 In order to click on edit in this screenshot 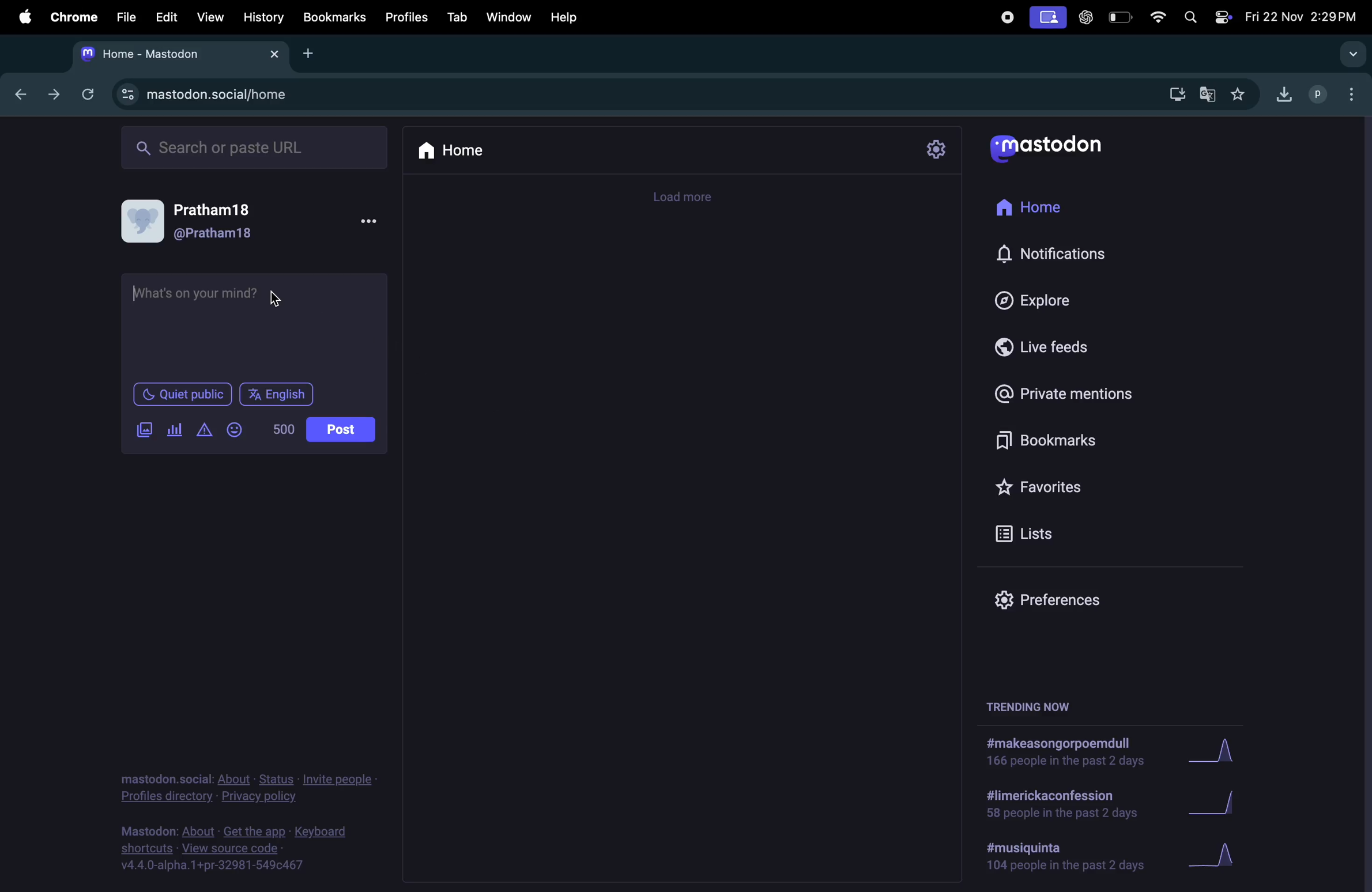, I will do `click(166, 17)`.